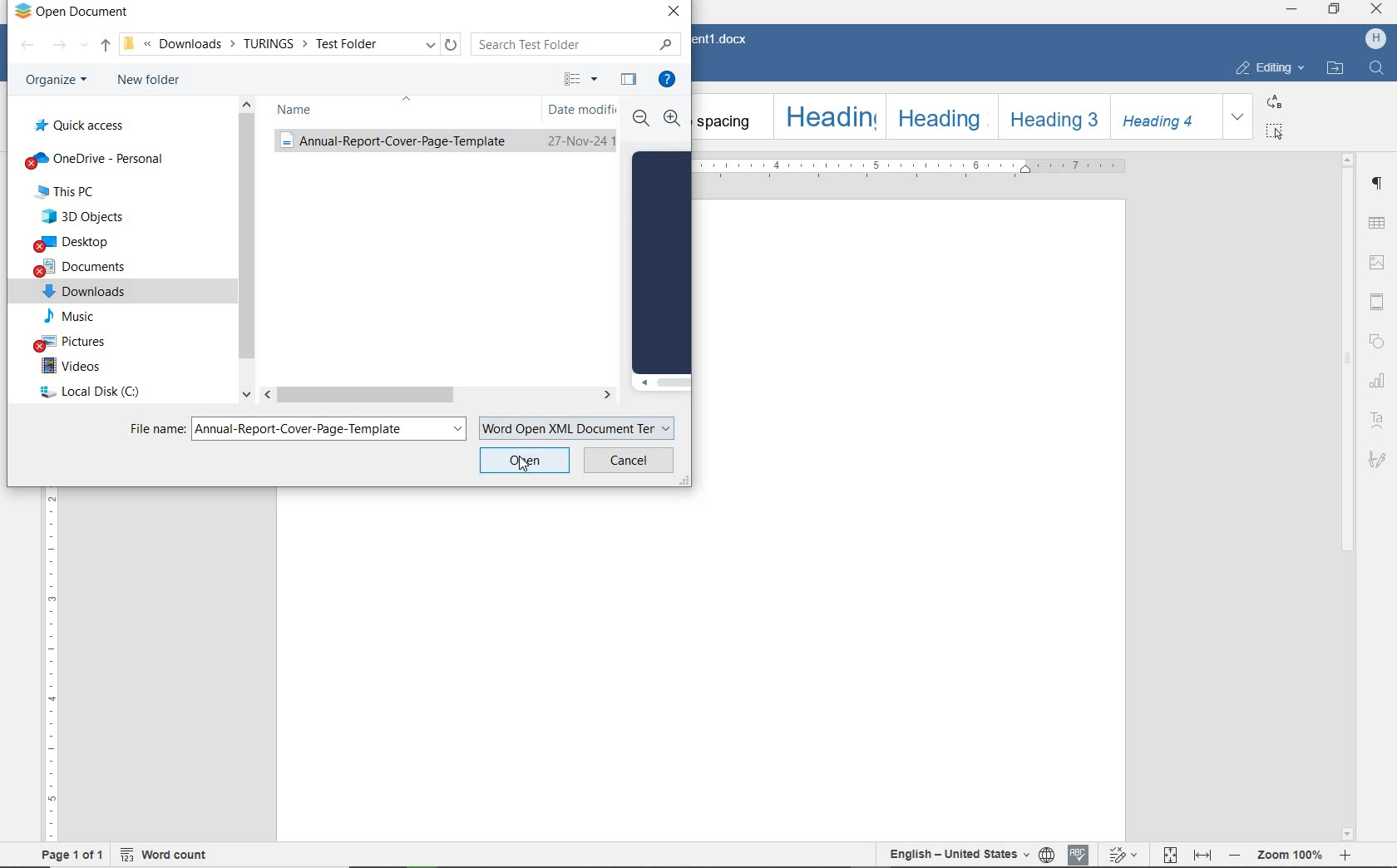  Describe the element at coordinates (627, 79) in the screenshot. I see `HIDE THE PREVIEW PANE` at that location.